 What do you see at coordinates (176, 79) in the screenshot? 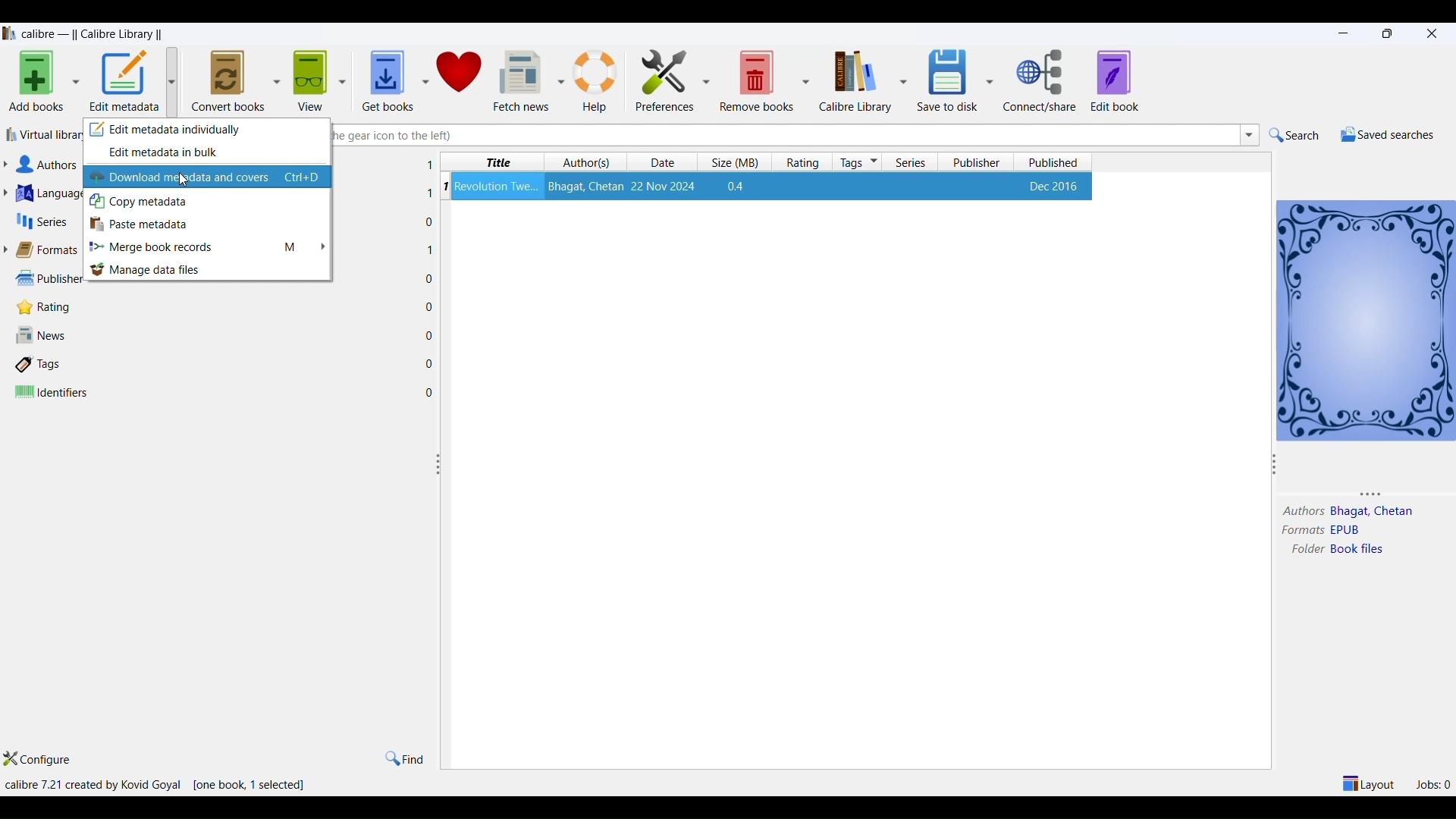
I see `metadata options dropdown button` at bounding box center [176, 79].